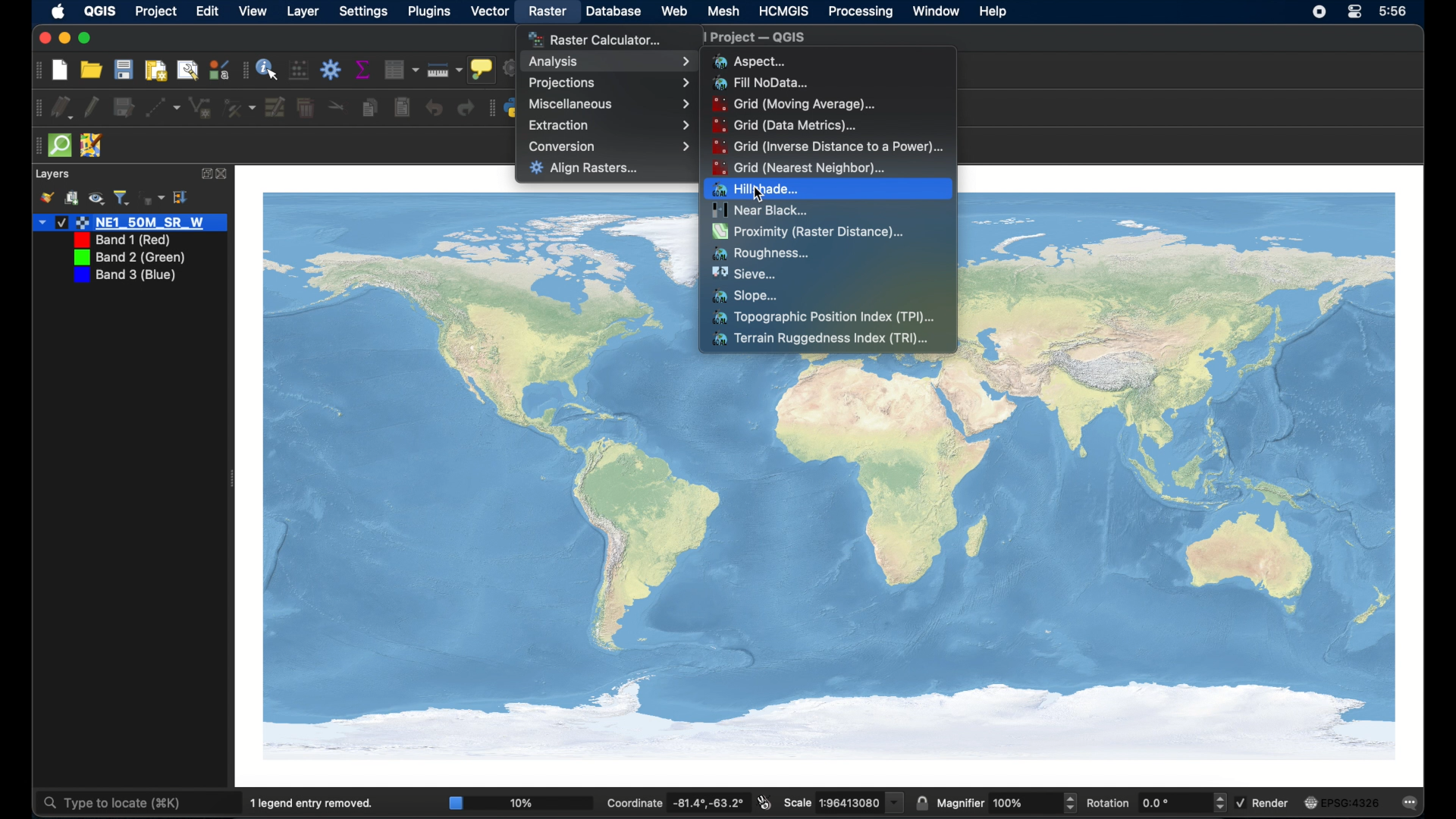 This screenshot has height=819, width=1456. I want to click on style manager, so click(218, 69).